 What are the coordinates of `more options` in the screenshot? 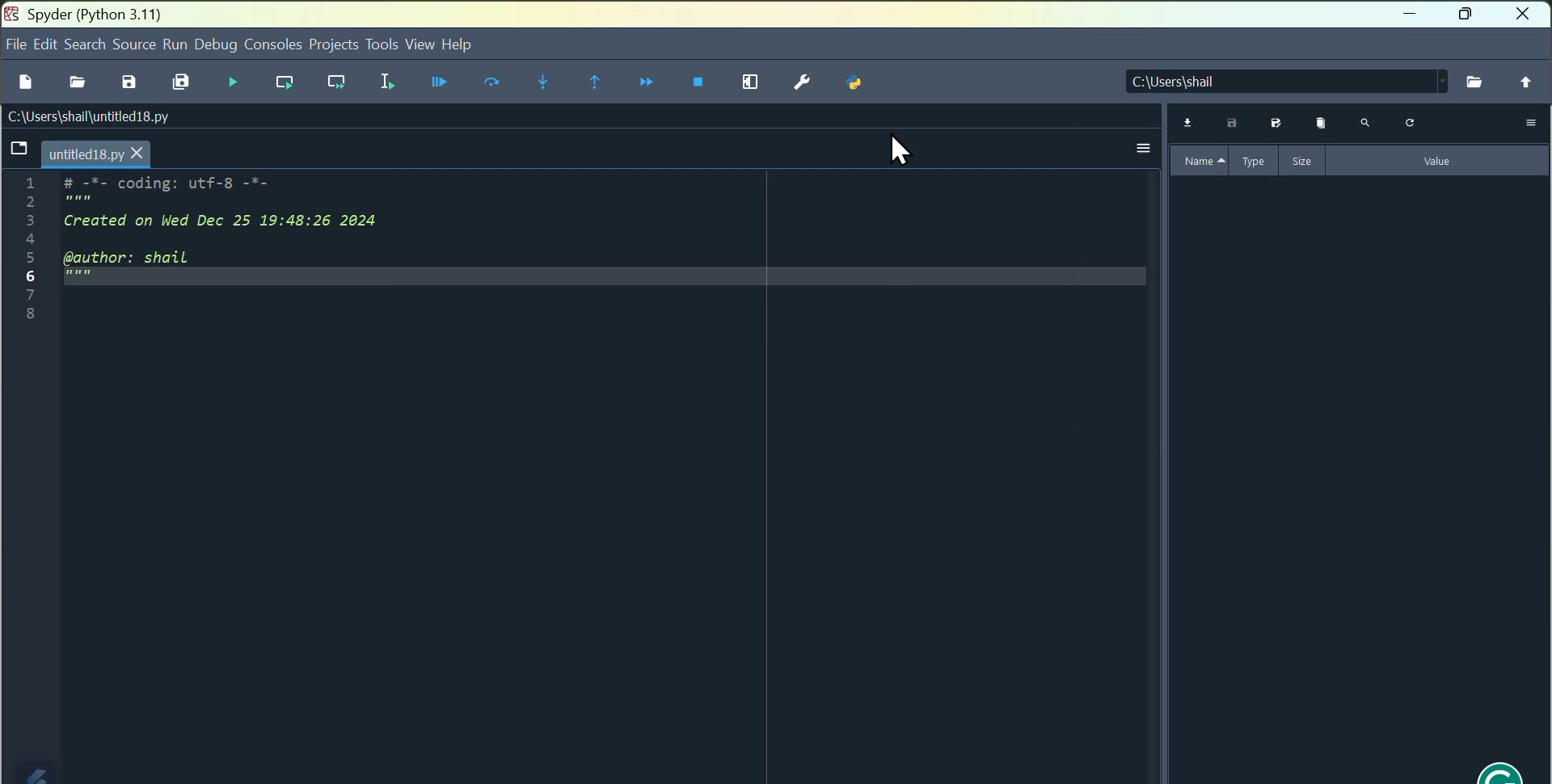 It's located at (1142, 147).